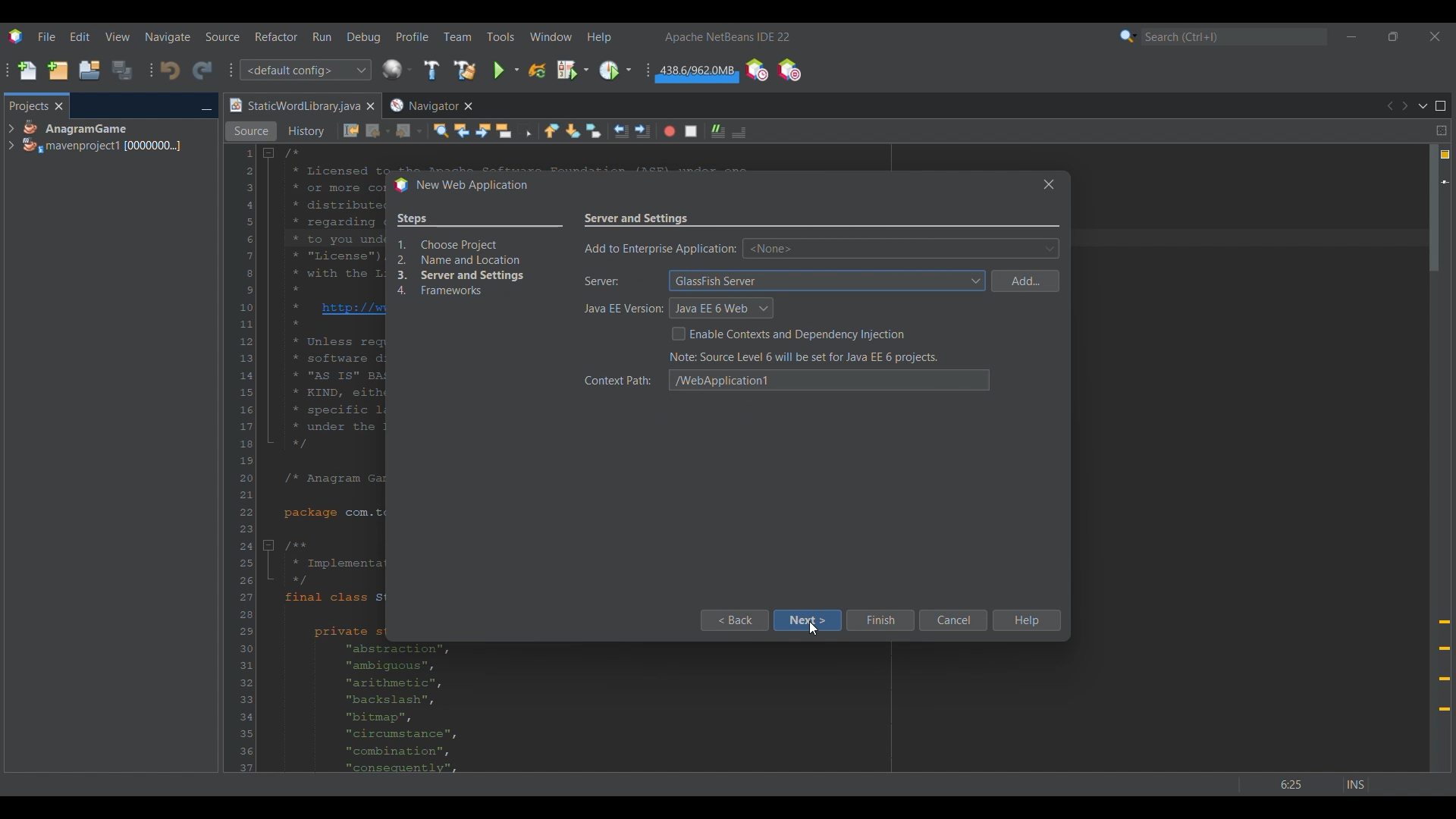  Describe the element at coordinates (1434, 458) in the screenshot. I see `Vertical slide bar` at that location.